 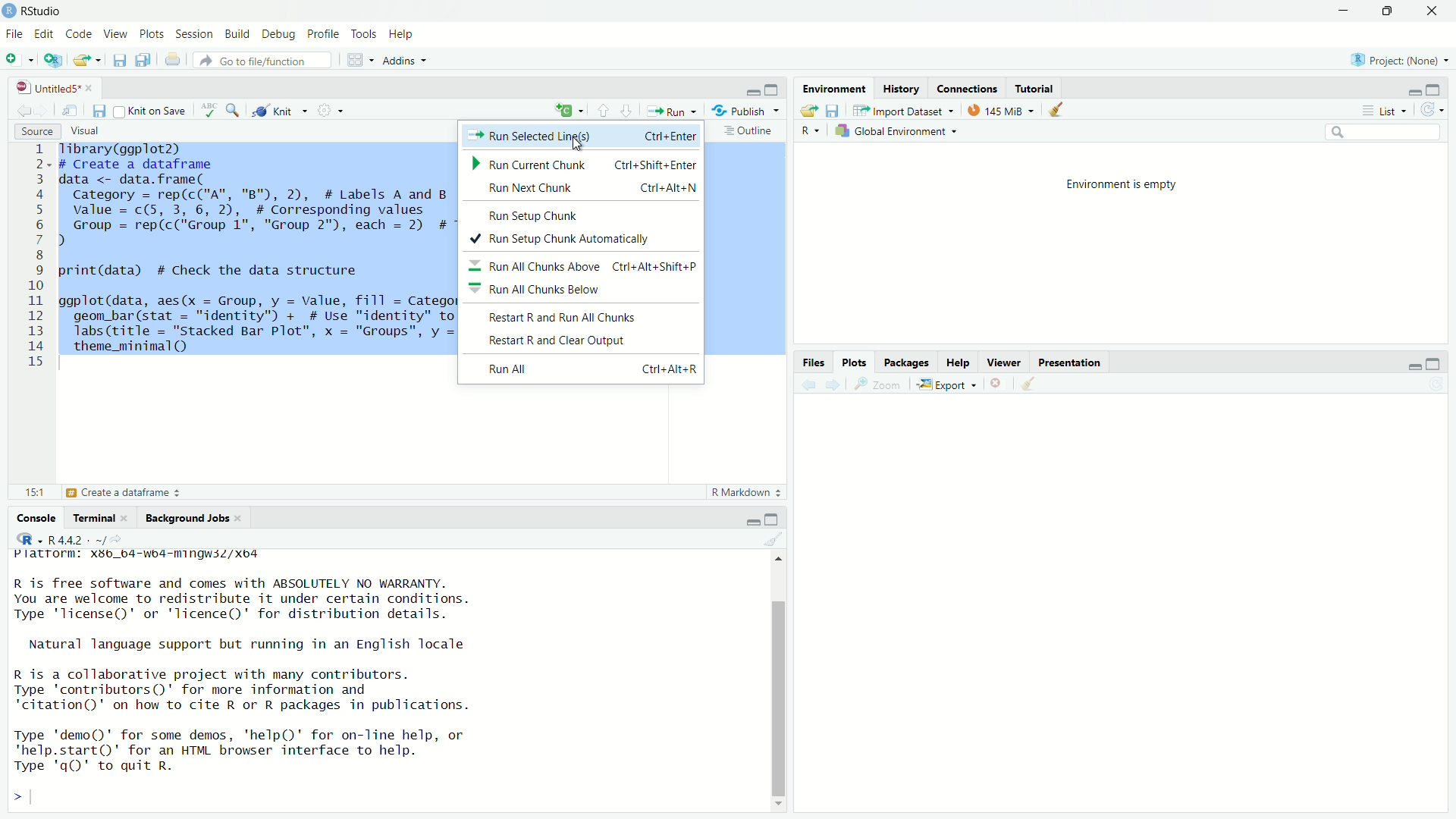 What do you see at coordinates (579, 314) in the screenshot?
I see `Restart R and Run All Chunks` at bounding box center [579, 314].